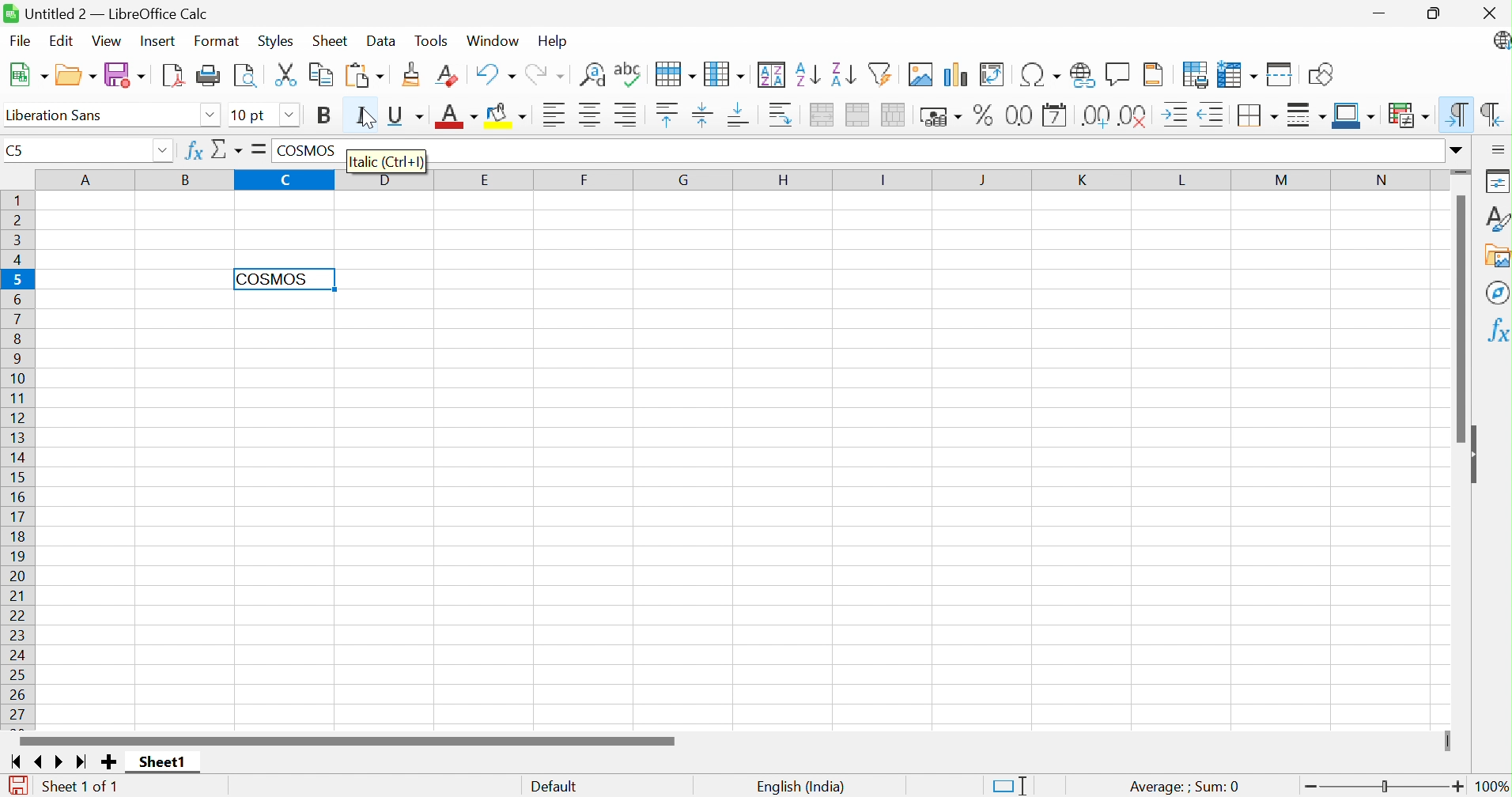  What do you see at coordinates (773, 74) in the screenshot?
I see `Sort` at bounding box center [773, 74].